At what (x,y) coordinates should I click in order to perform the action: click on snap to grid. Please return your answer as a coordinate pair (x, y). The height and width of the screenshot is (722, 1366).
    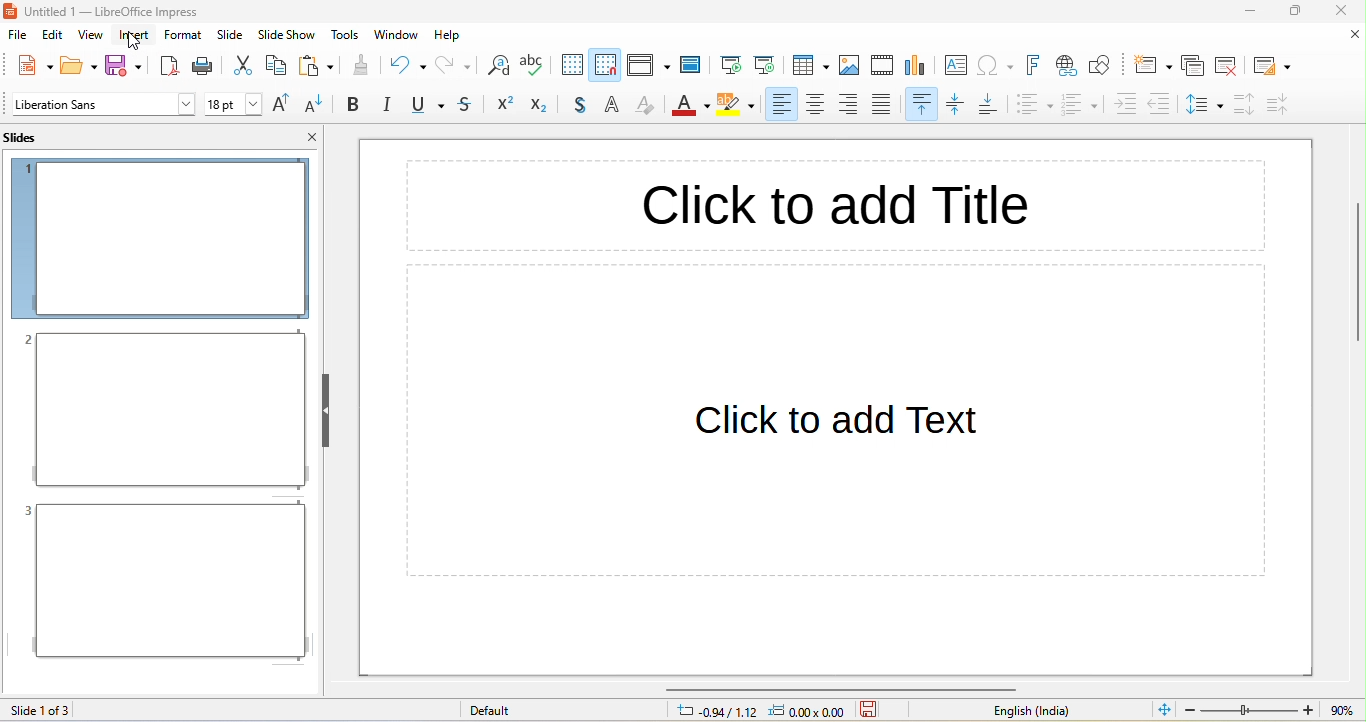
    Looking at the image, I should click on (605, 64).